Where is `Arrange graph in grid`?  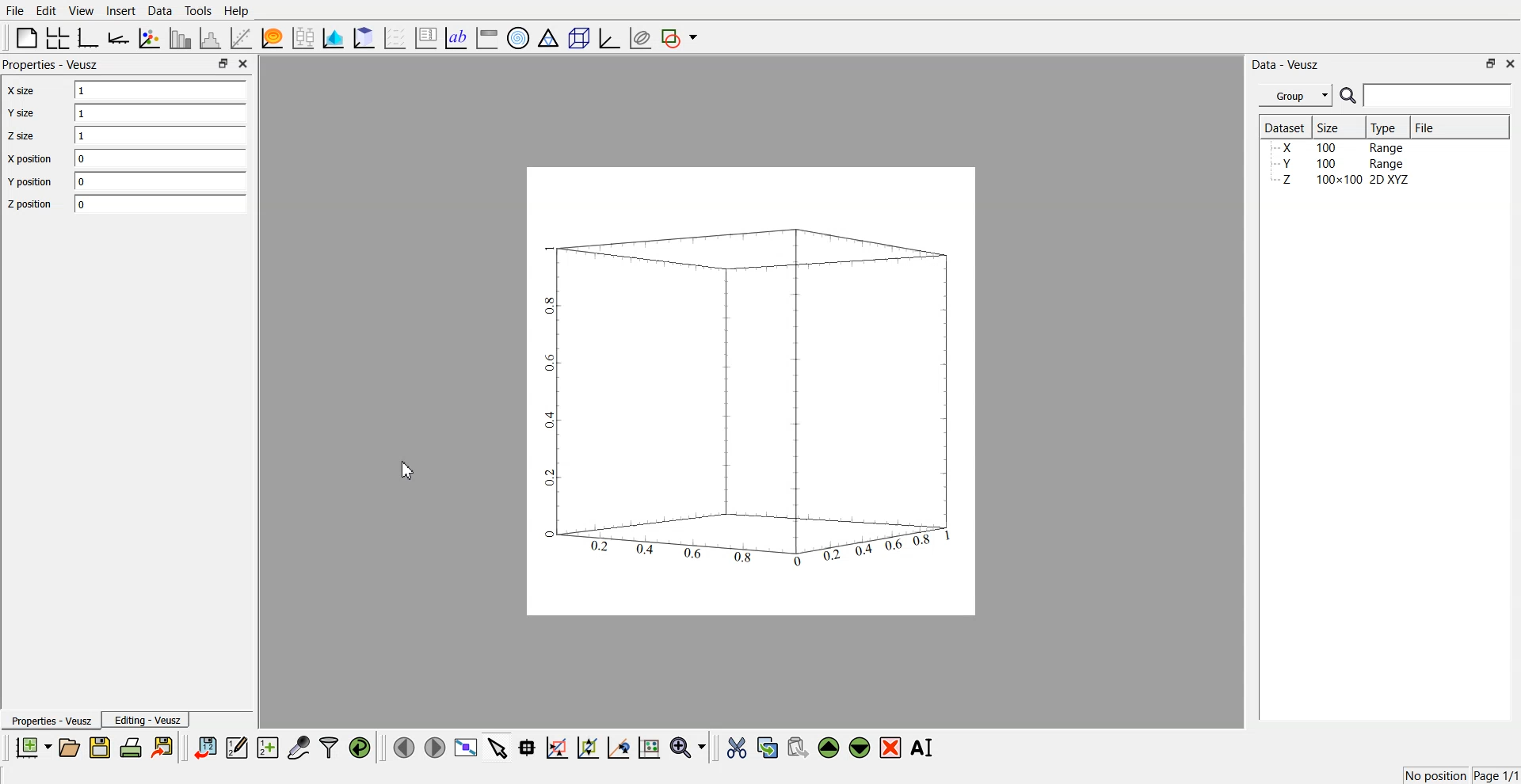 Arrange graph in grid is located at coordinates (58, 39).